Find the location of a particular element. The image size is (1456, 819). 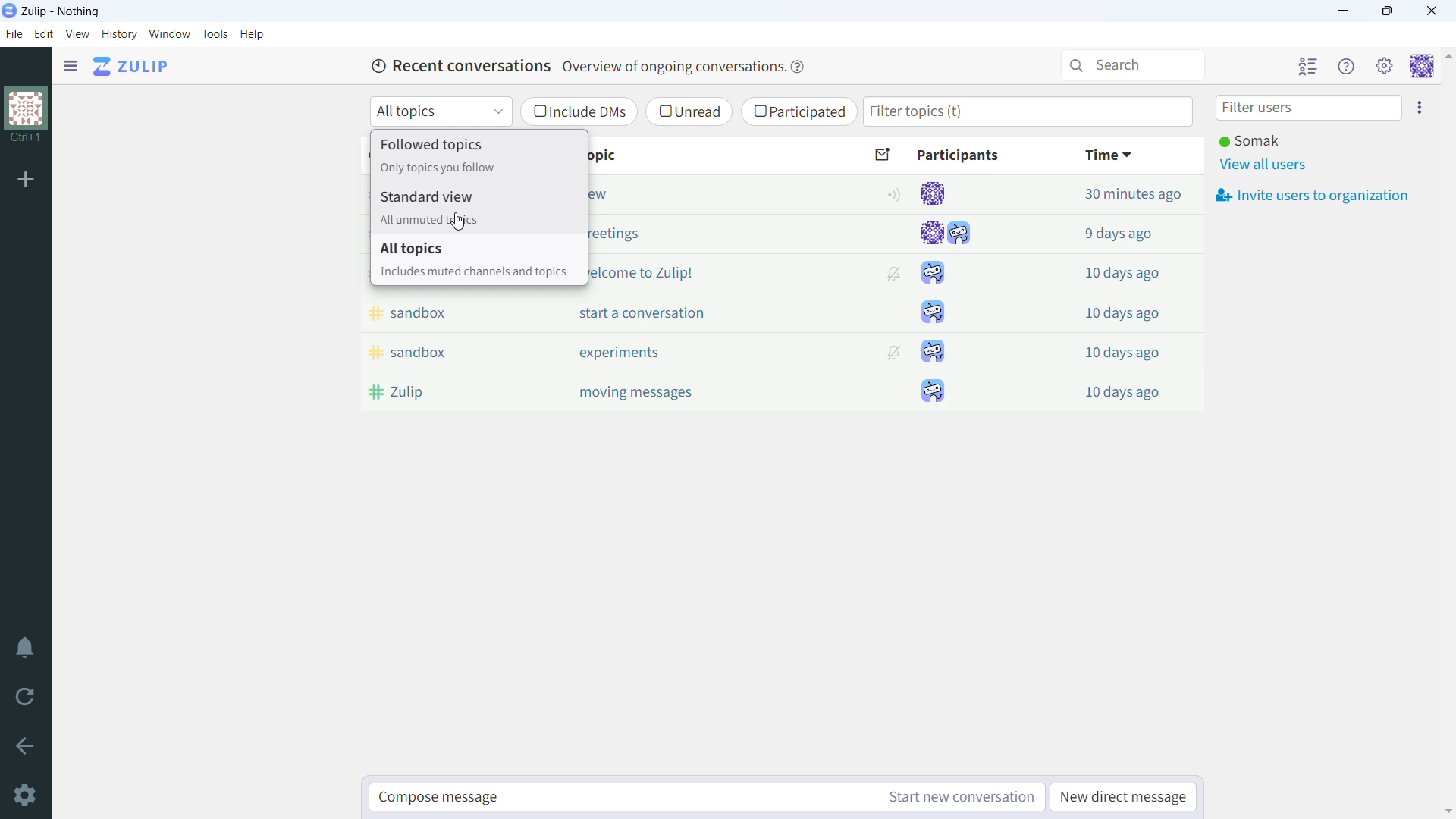

view is located at coordinates (78, 33).